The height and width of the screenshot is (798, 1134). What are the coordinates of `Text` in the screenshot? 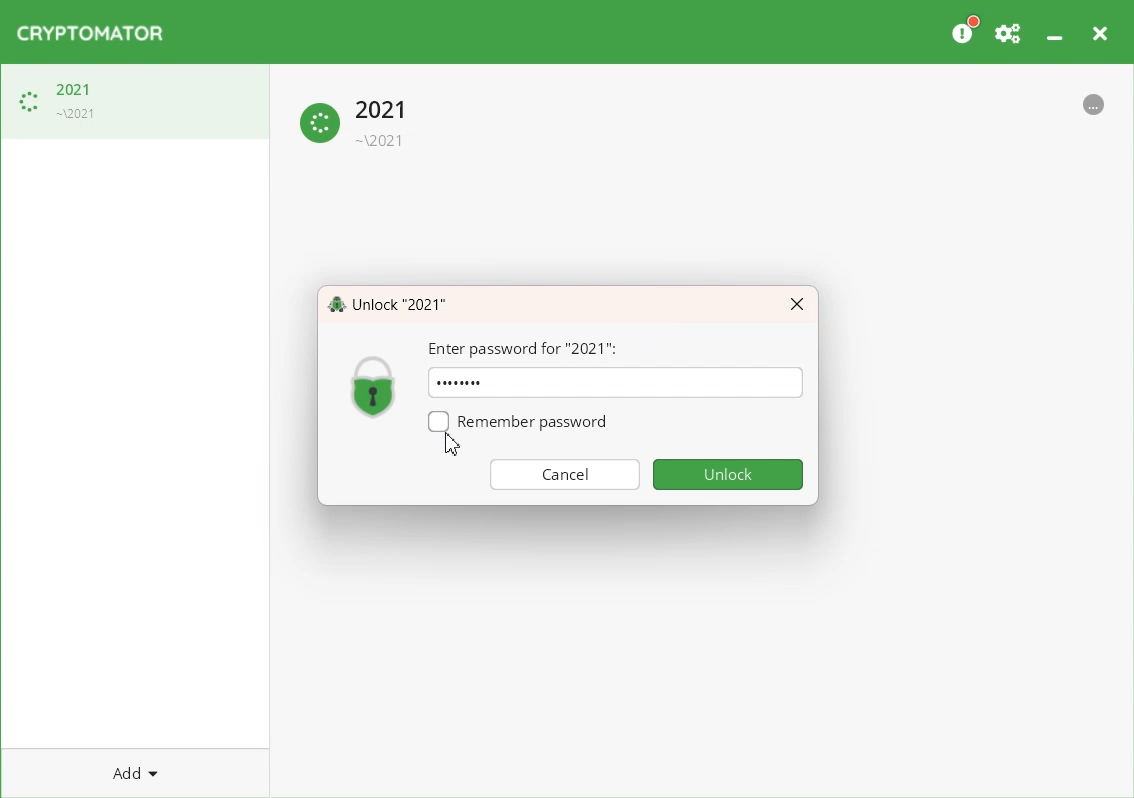 It's located at (459, 382).